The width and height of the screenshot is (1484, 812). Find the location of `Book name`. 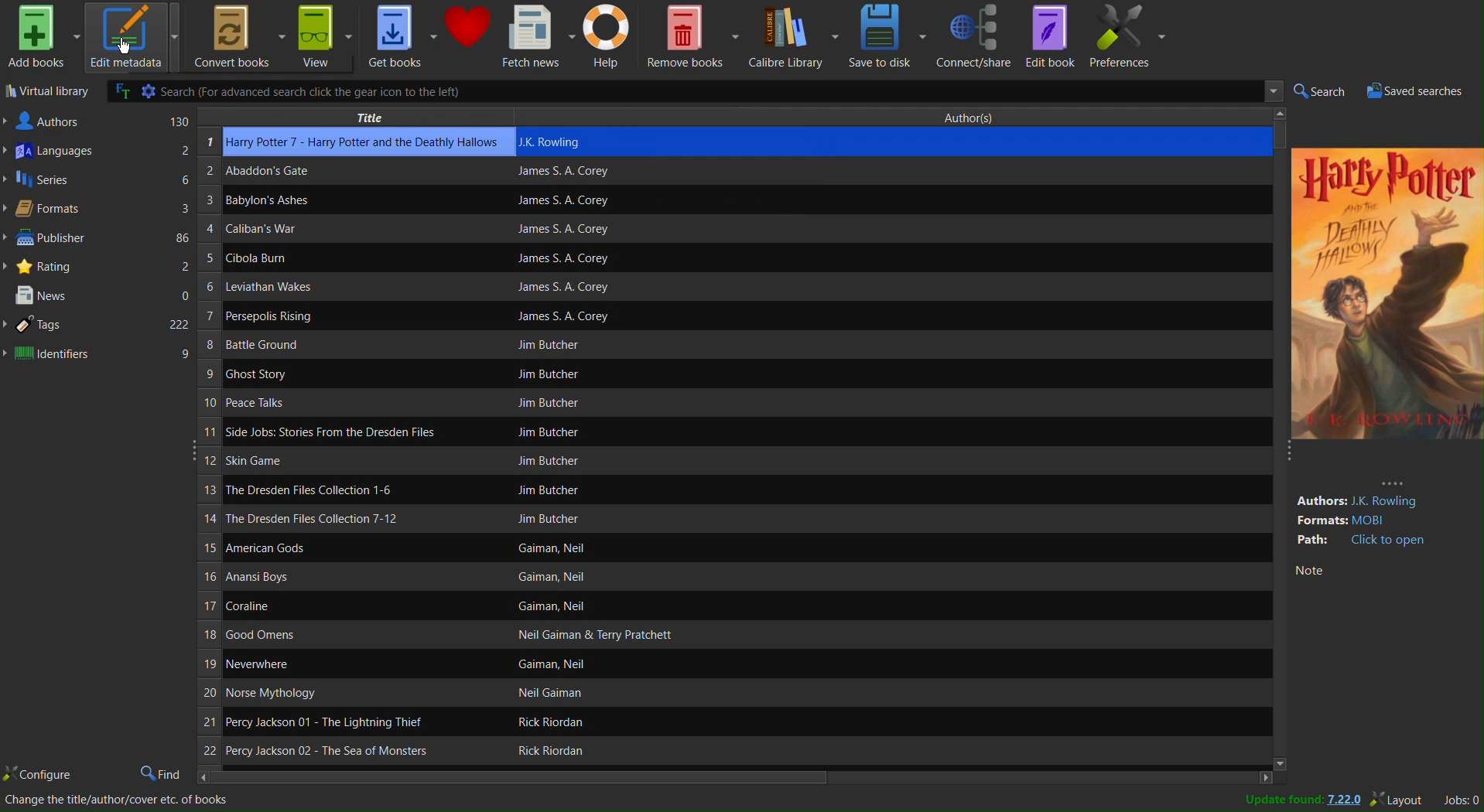

Book name is located at coordinates (288, 287).